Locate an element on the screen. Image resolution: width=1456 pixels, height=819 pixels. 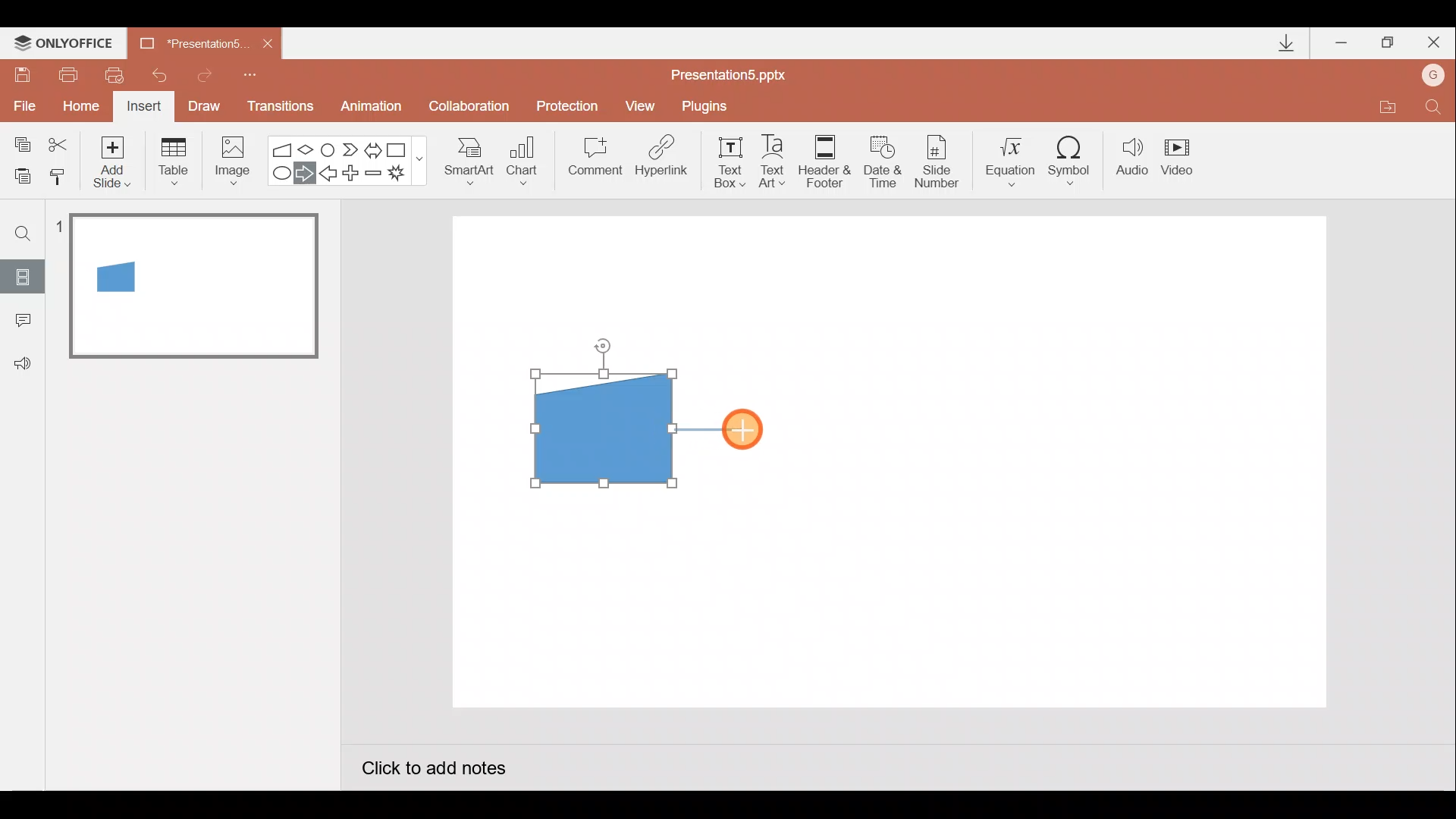
Account name is located at coordinates (1434, 77).